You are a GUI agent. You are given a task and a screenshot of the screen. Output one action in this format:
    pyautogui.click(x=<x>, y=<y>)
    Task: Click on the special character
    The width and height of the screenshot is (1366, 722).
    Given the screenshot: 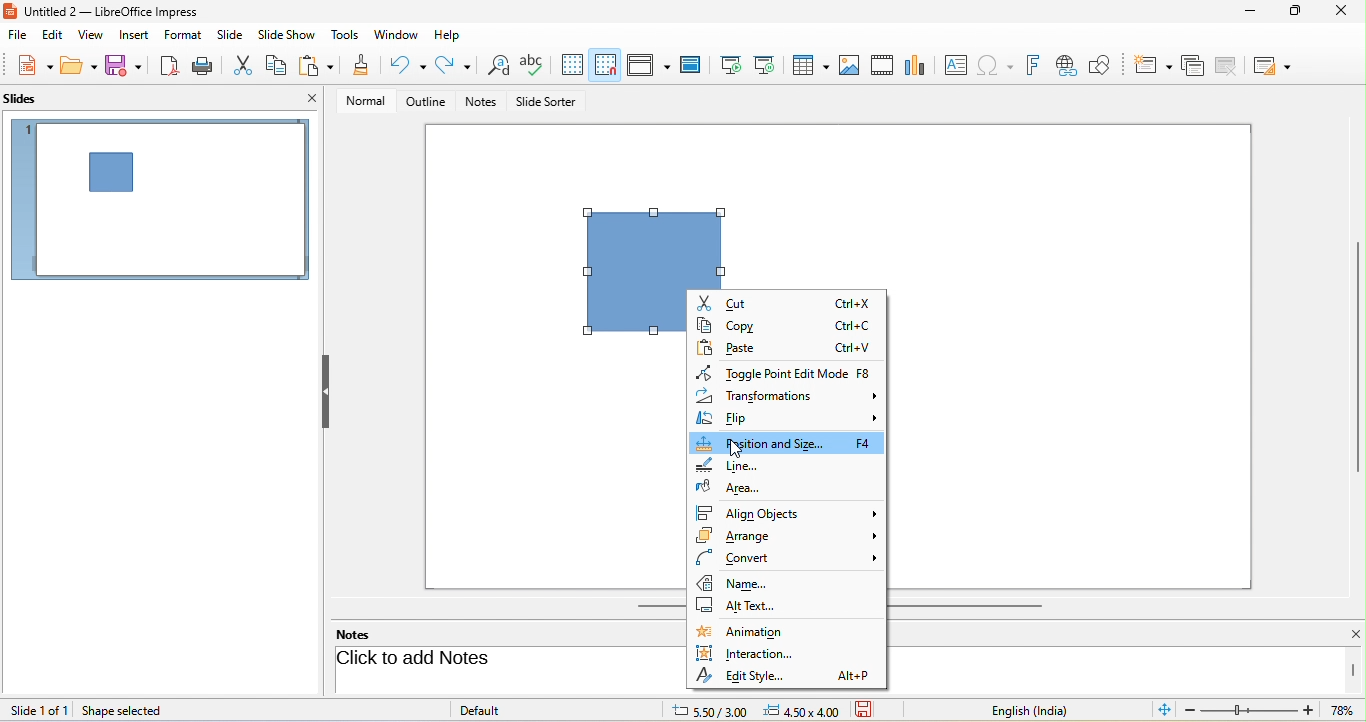 What is the action you would take?
    pyautogui.click(x=999, y=65)
    